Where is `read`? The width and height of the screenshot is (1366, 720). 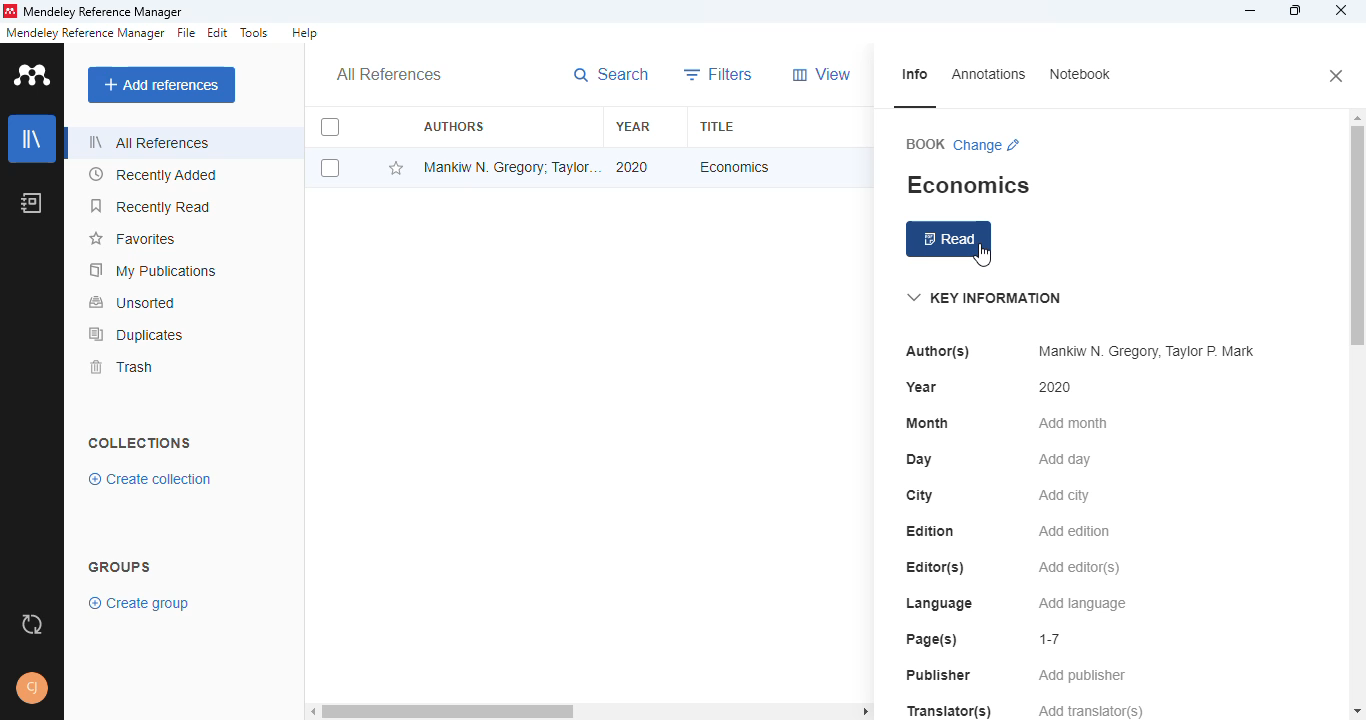
read is located at coordinates (949, 240).